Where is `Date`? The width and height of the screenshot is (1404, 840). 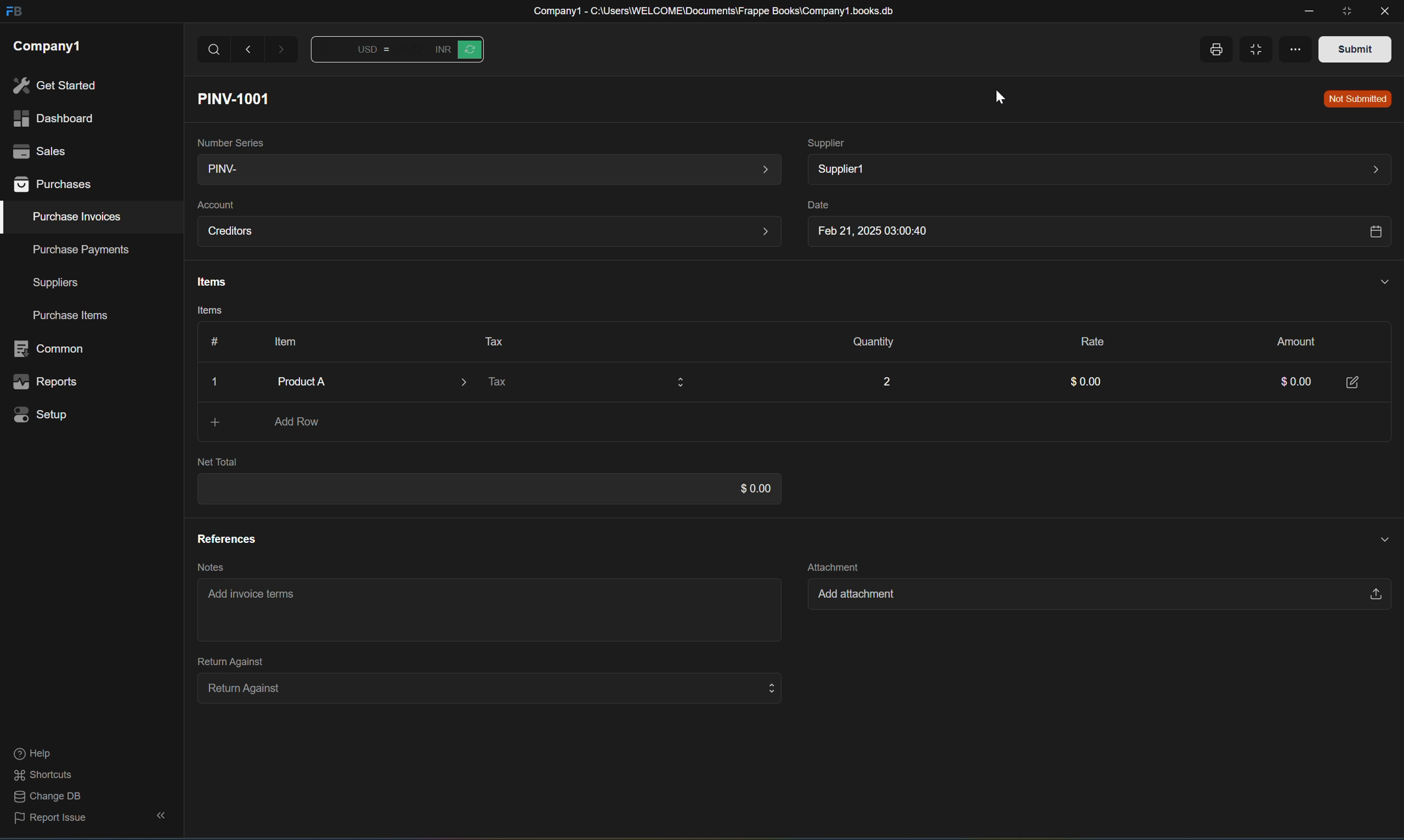 Date is located at coordinates (815, 205).